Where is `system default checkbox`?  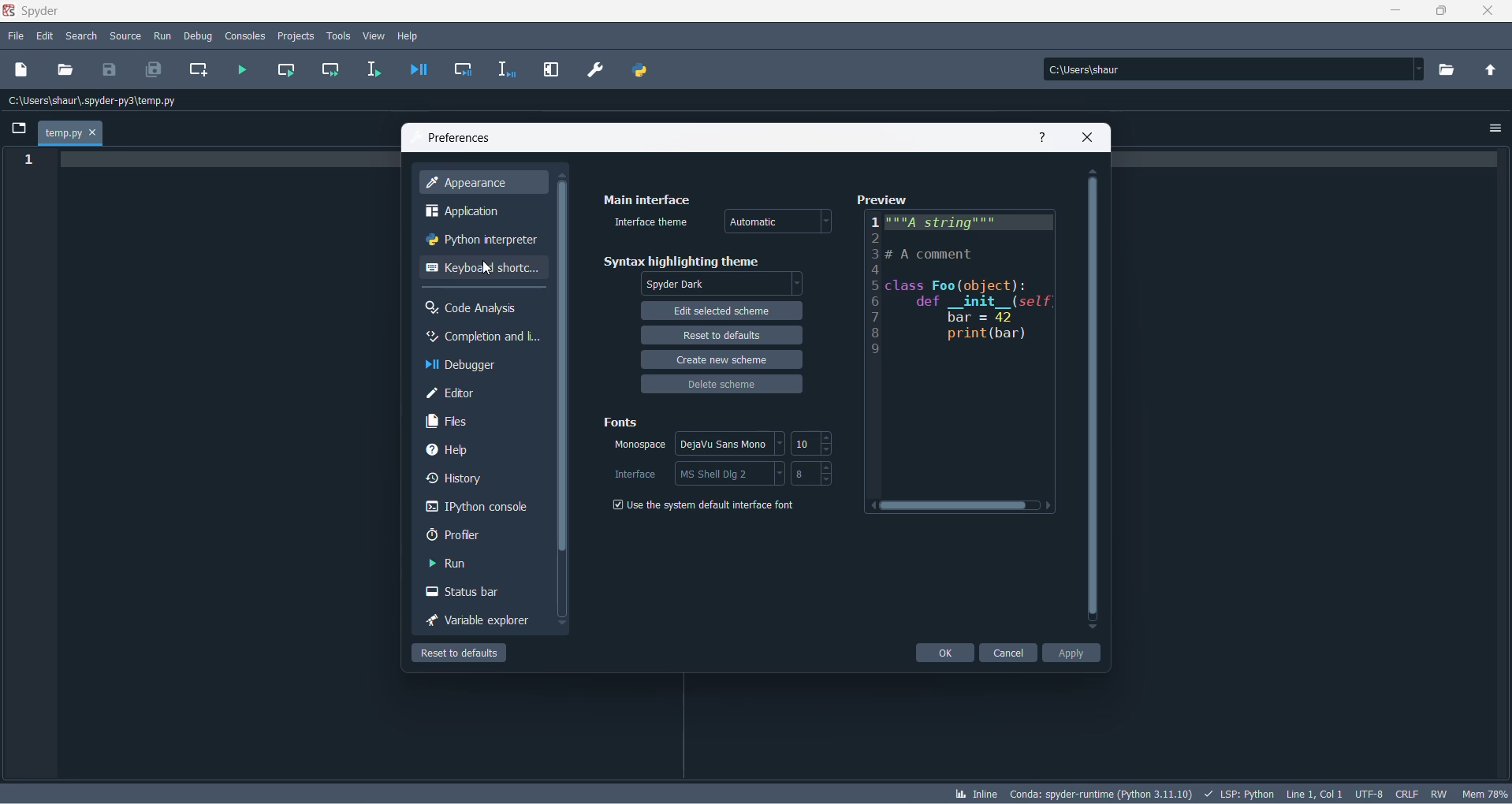 system default checkbox is located at coordinates (706, 505).